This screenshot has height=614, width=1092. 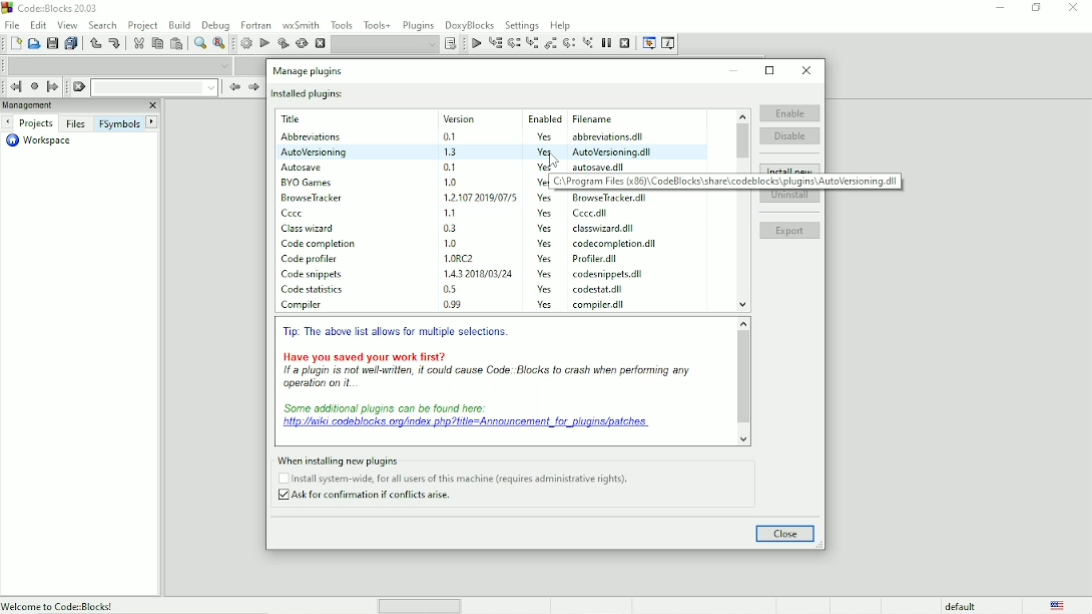 I want to click on Projects, so click(x=36, y=124).